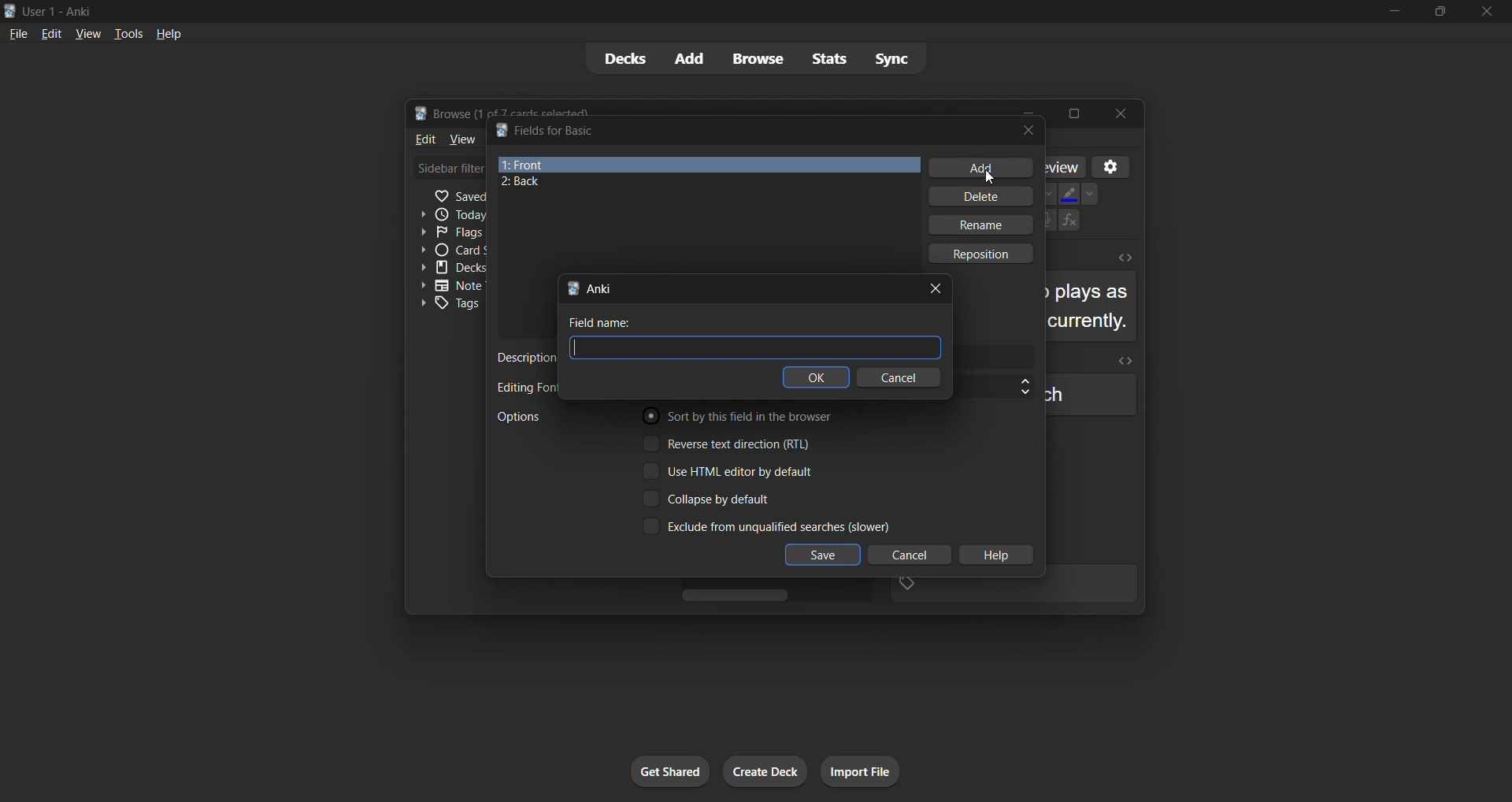 The width and height of the screenshot is (1512, 802). Describe the element at coordinates (49, 32) in the screenshot. I see `edit` at that location.